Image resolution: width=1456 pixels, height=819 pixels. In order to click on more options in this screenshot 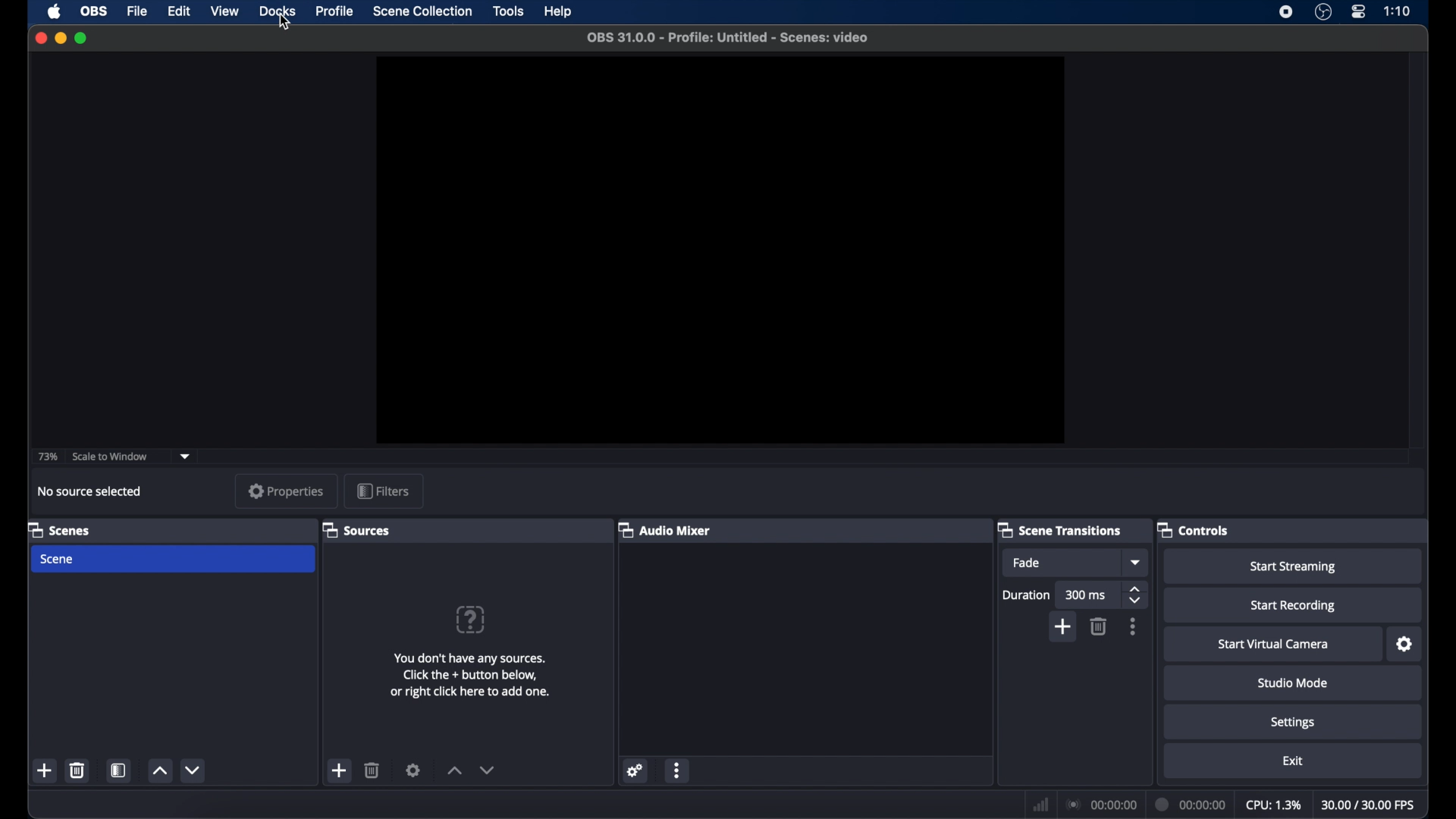, I will do `click(678, 770)`.